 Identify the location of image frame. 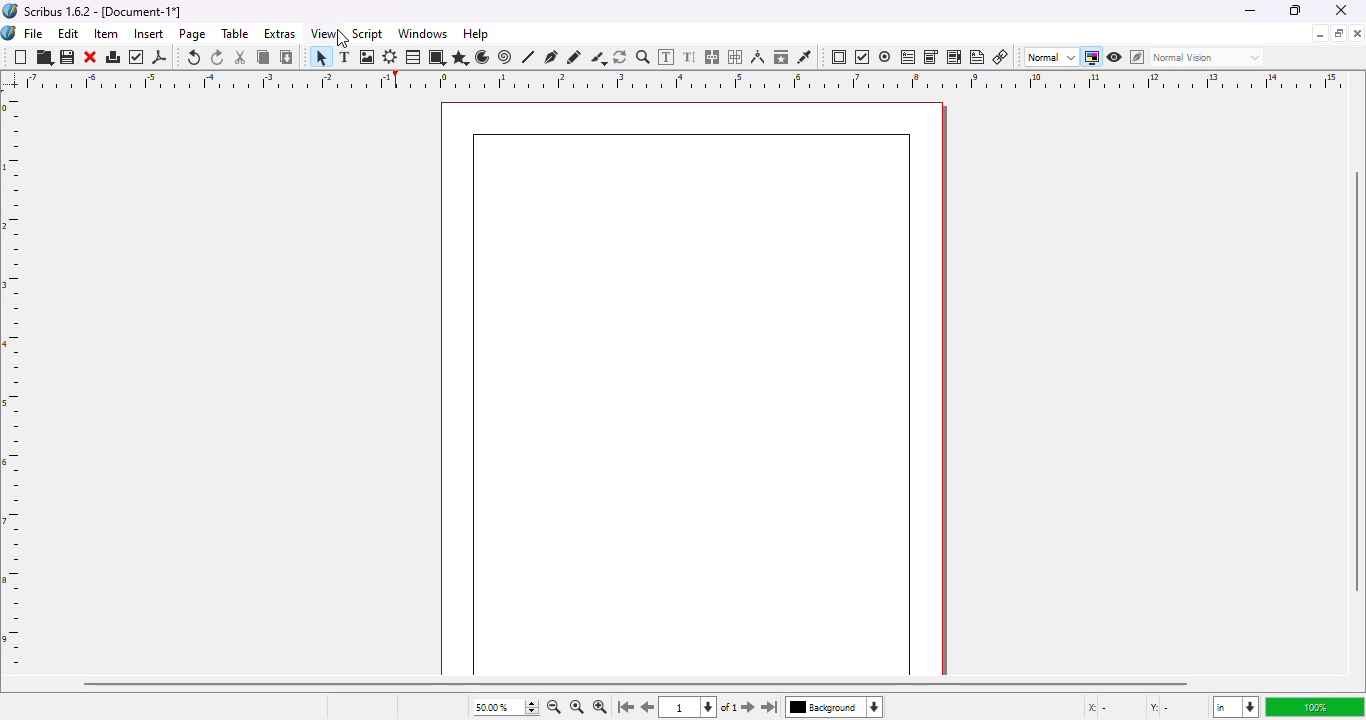
(368, 57).